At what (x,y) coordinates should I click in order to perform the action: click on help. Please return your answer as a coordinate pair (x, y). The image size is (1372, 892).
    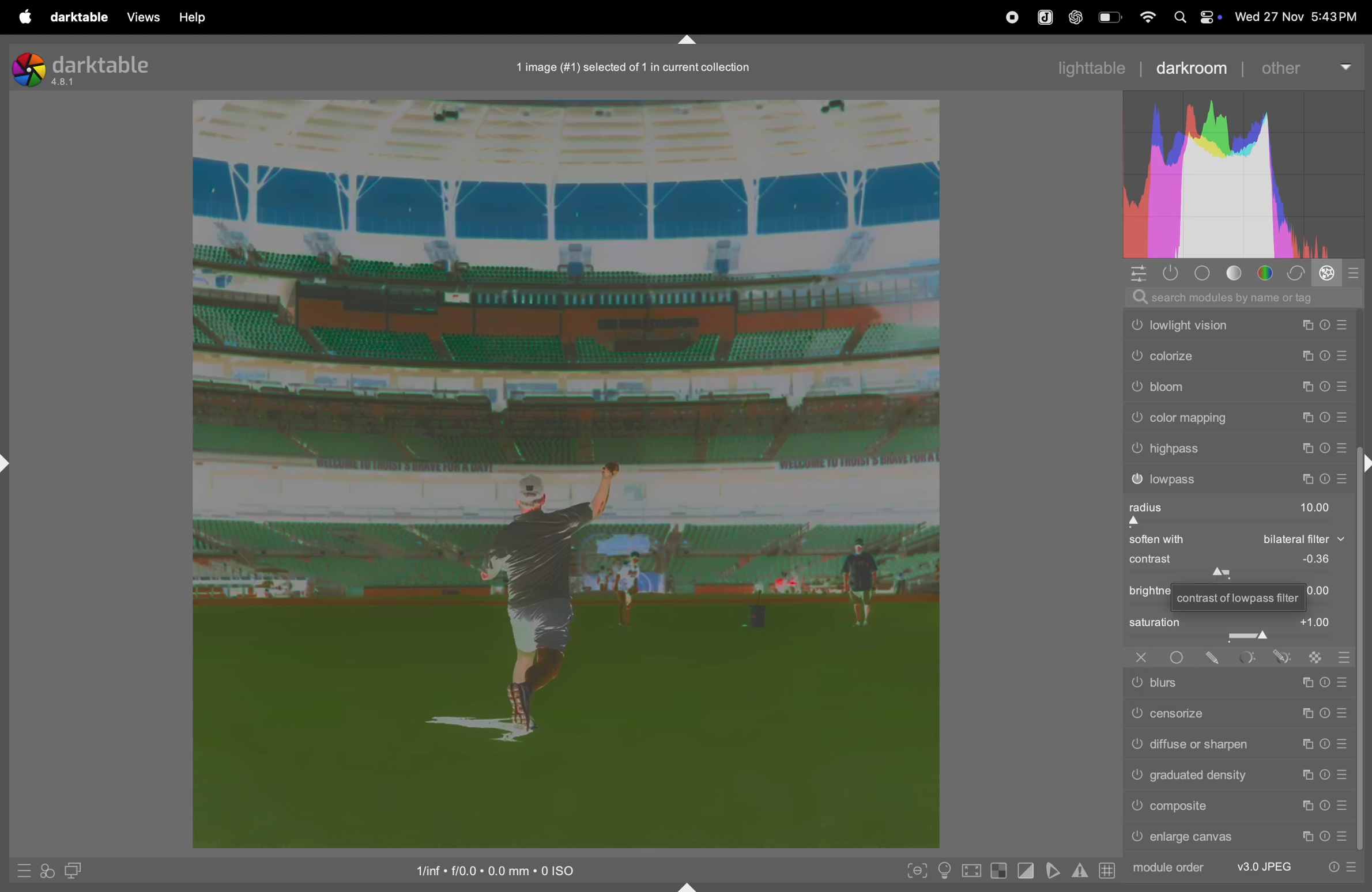
    Looking at the image, I should click on (191, 18).